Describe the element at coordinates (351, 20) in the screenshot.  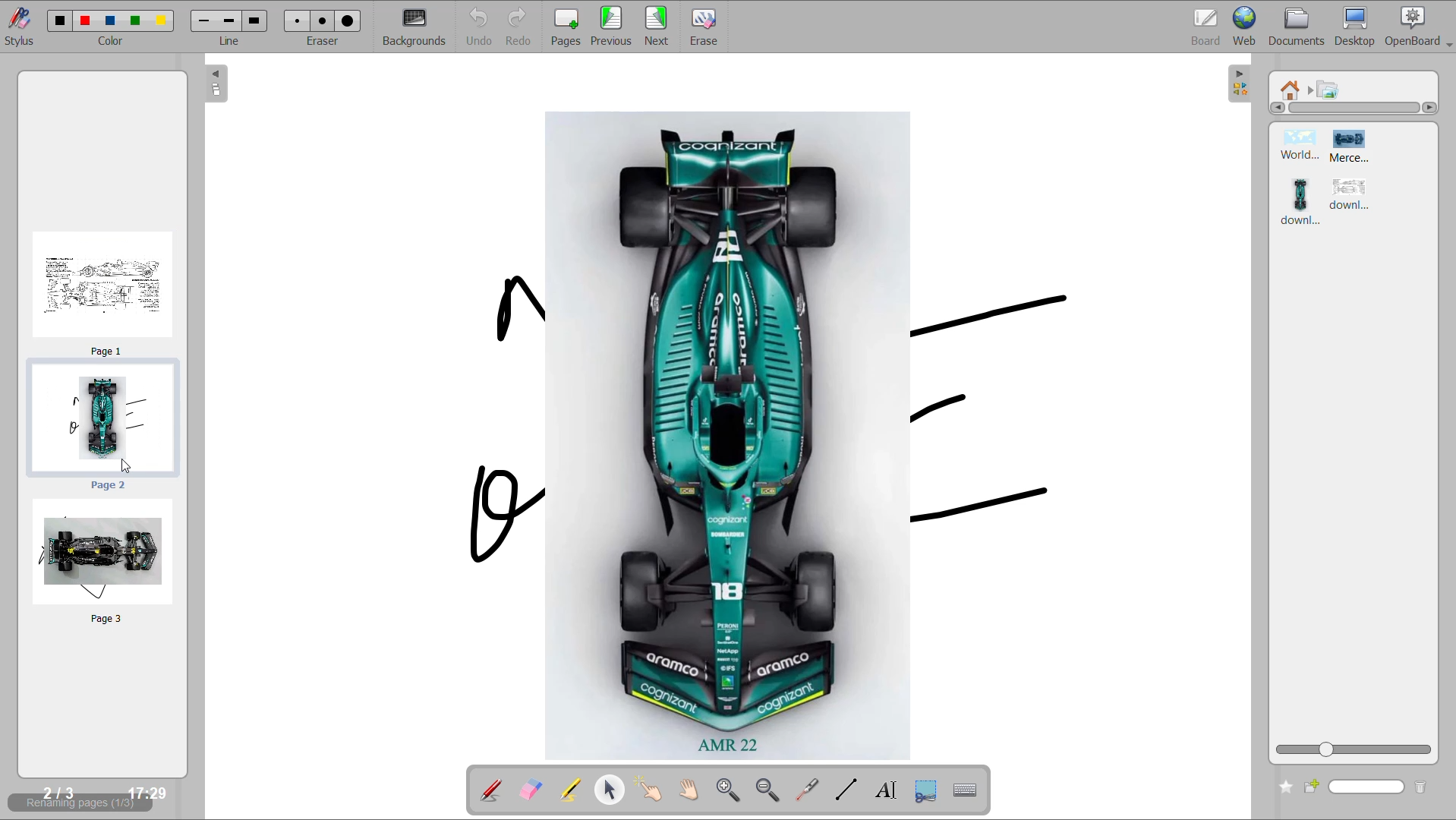
I see `Large eraser` at that location.